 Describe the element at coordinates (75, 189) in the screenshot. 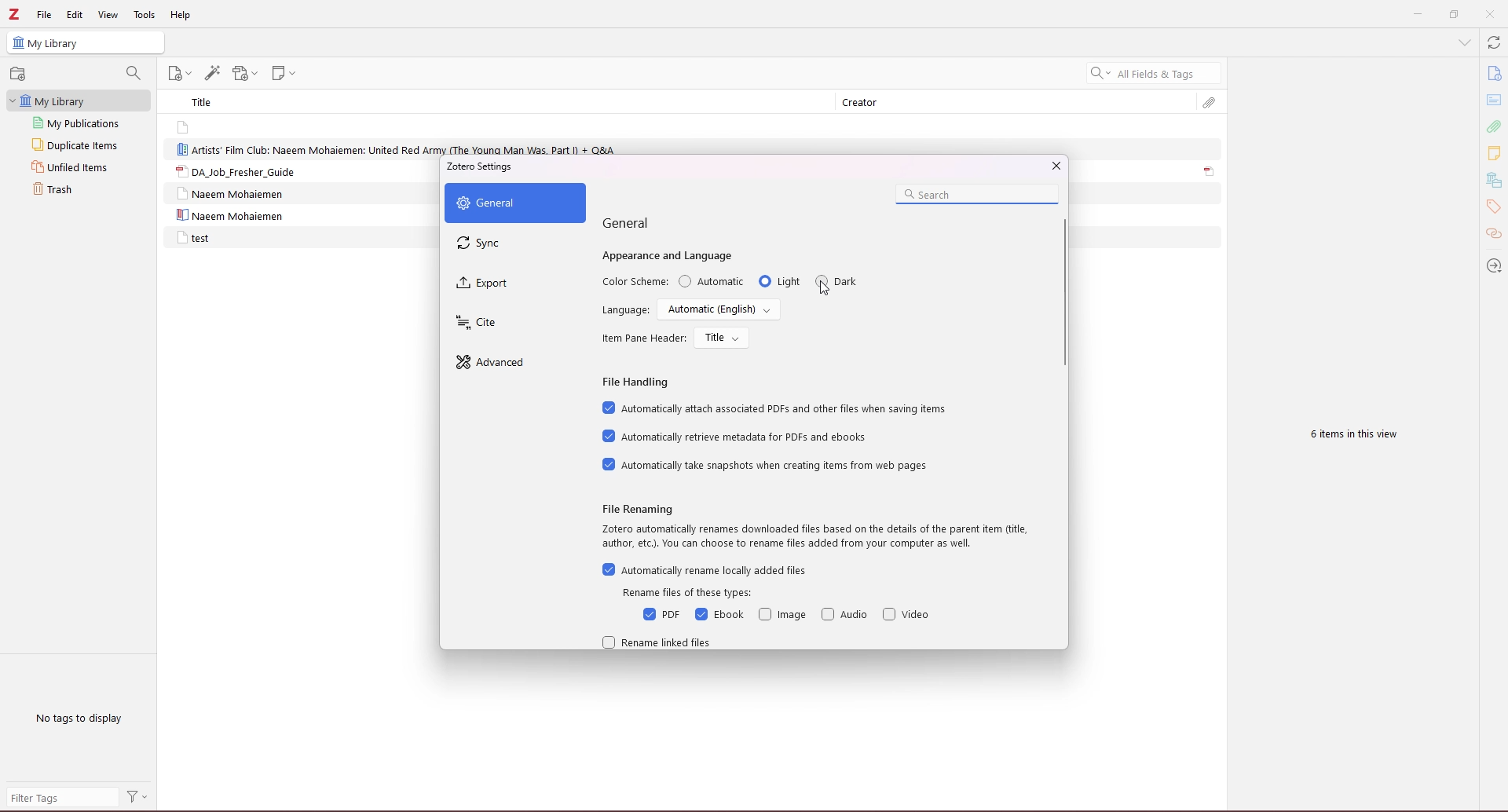

I see `trash` at that location.